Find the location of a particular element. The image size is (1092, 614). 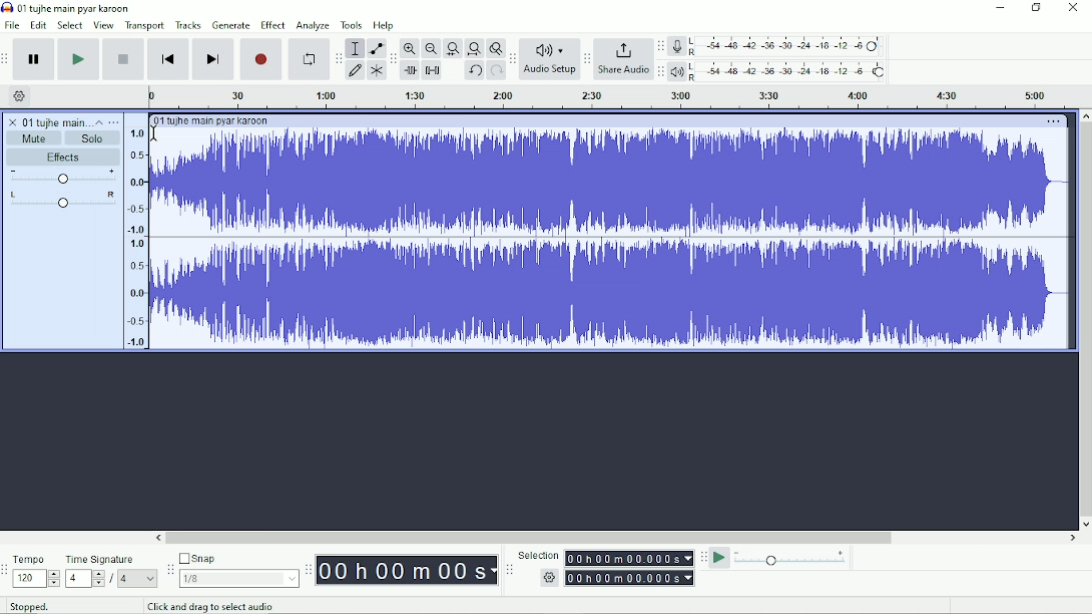

Edit is located at coordinates (39, 26).